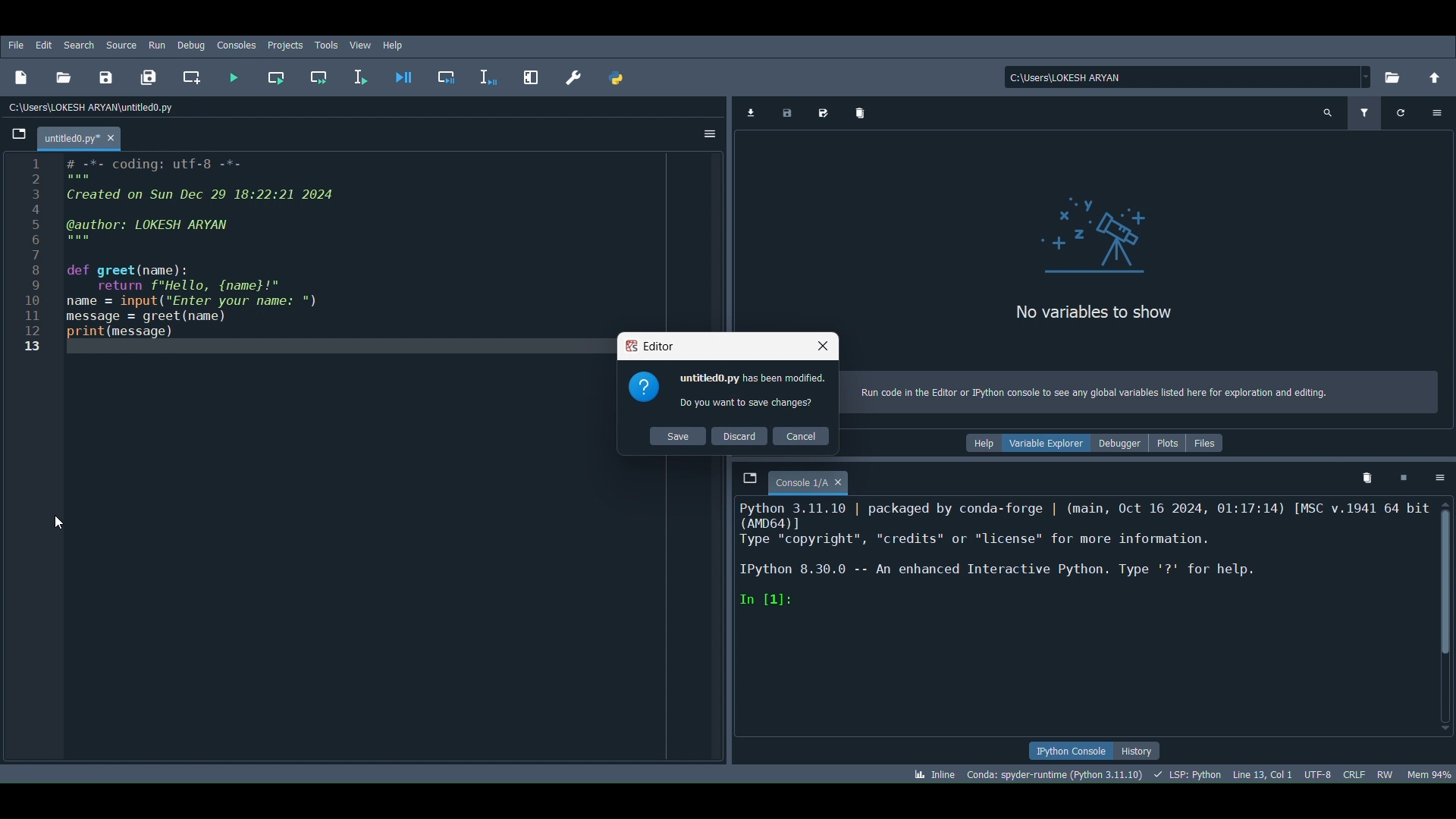 This screenshot has width=1456, height=819. Describe the element at coordinates (1062, 313) in the screenshot. I see `No variables to show` at that location.